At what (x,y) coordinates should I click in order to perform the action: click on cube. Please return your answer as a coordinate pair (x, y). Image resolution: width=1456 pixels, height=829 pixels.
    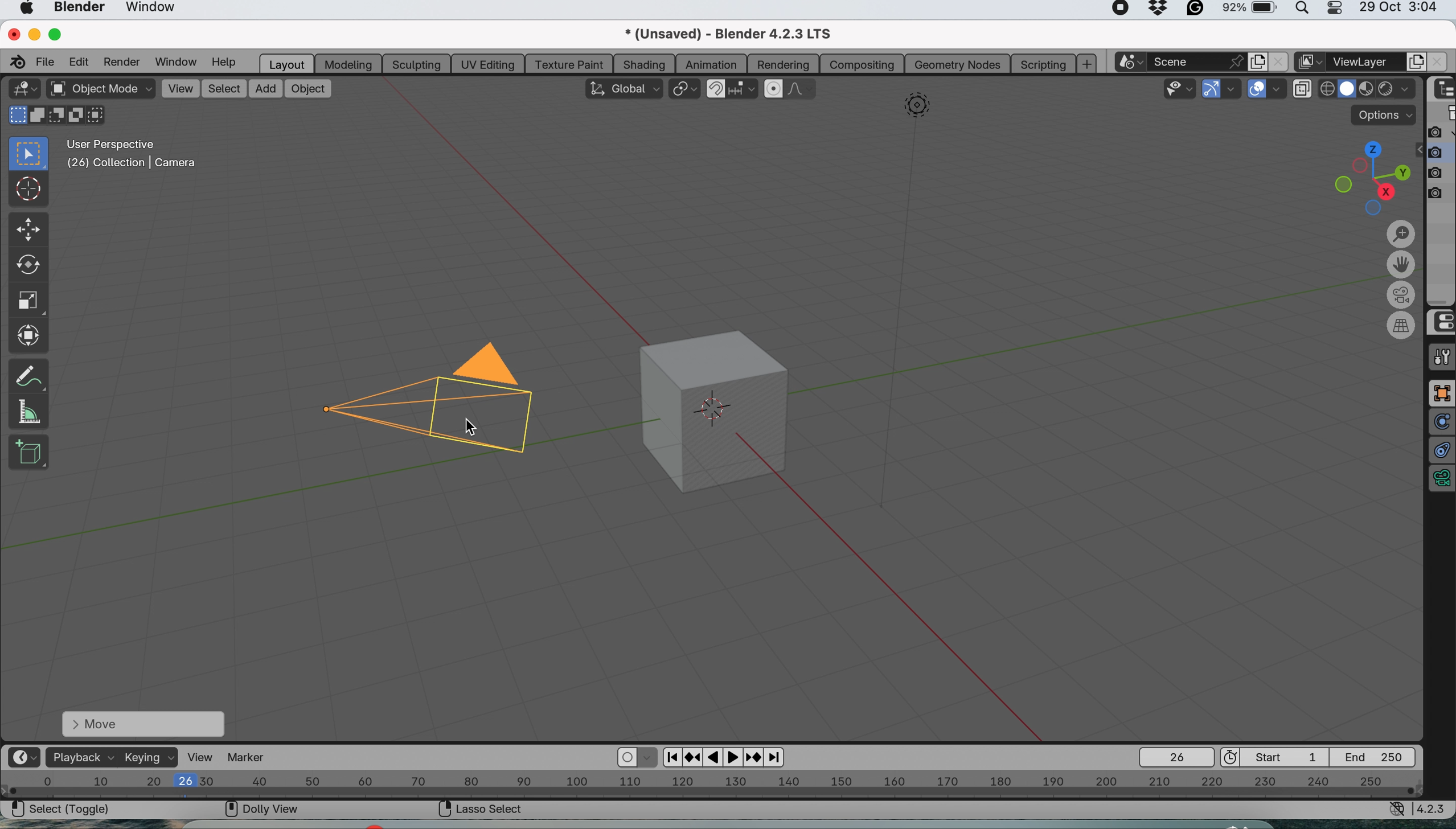
    Looking at the image, I should click on (726, 409).